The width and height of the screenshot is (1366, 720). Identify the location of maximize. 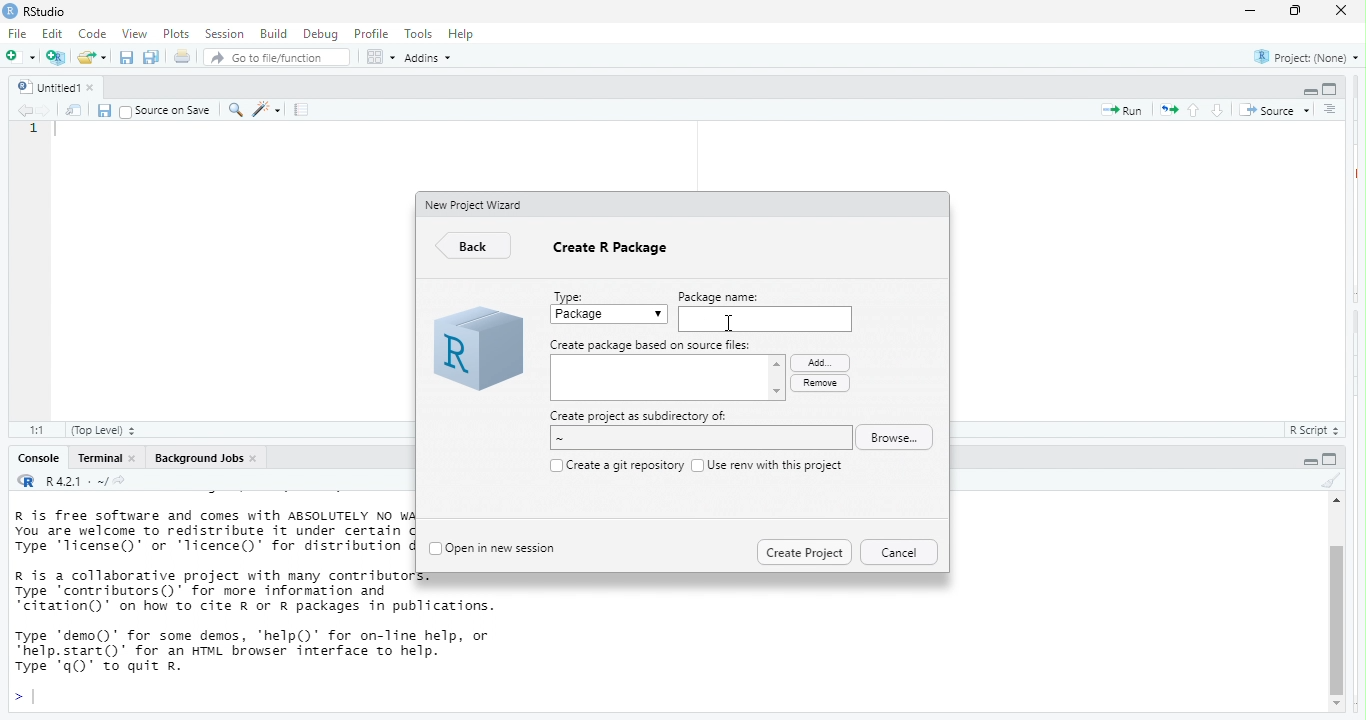
(1292, 12).